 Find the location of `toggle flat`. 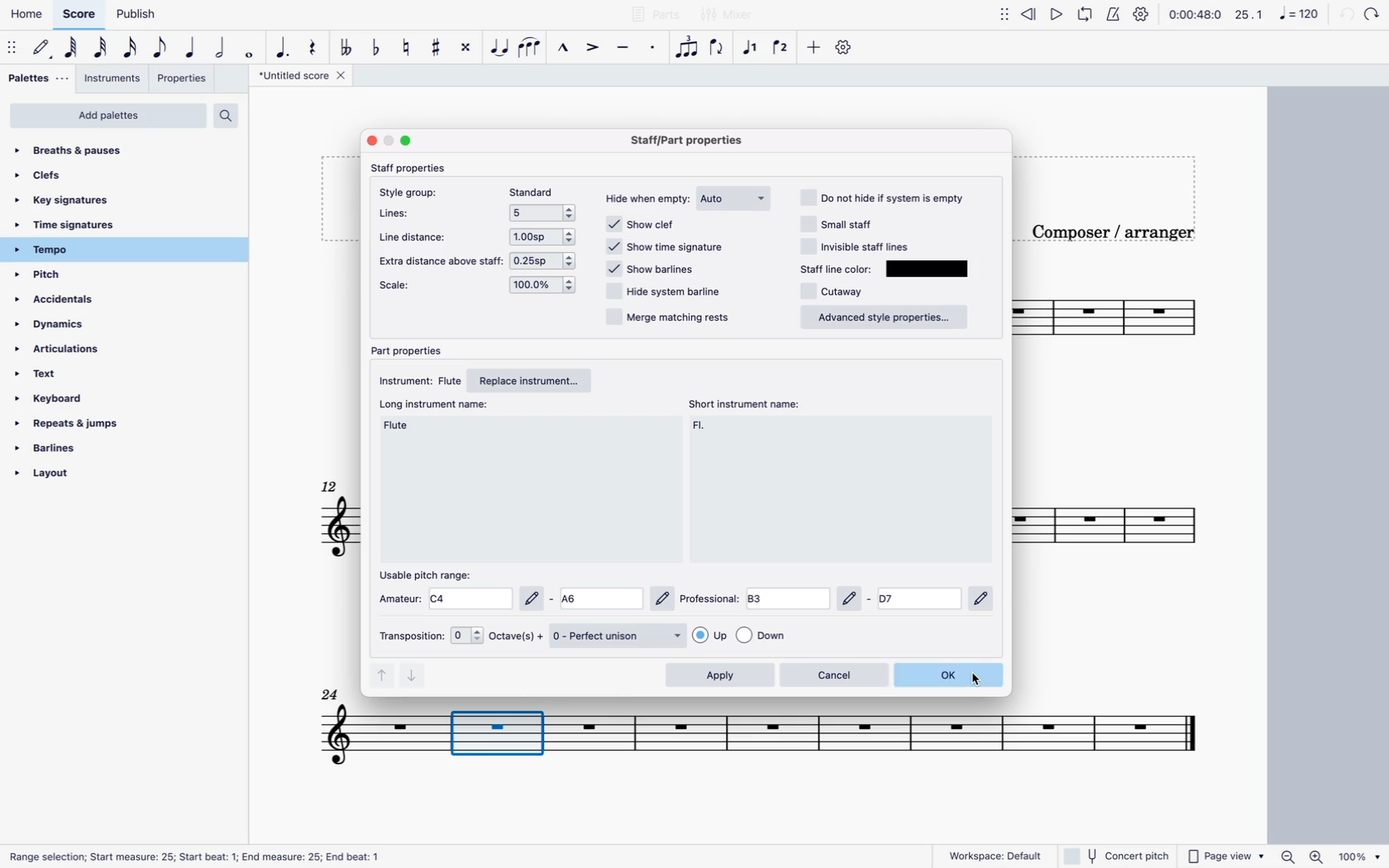

toggle flat is located at coordinates (346, 48).